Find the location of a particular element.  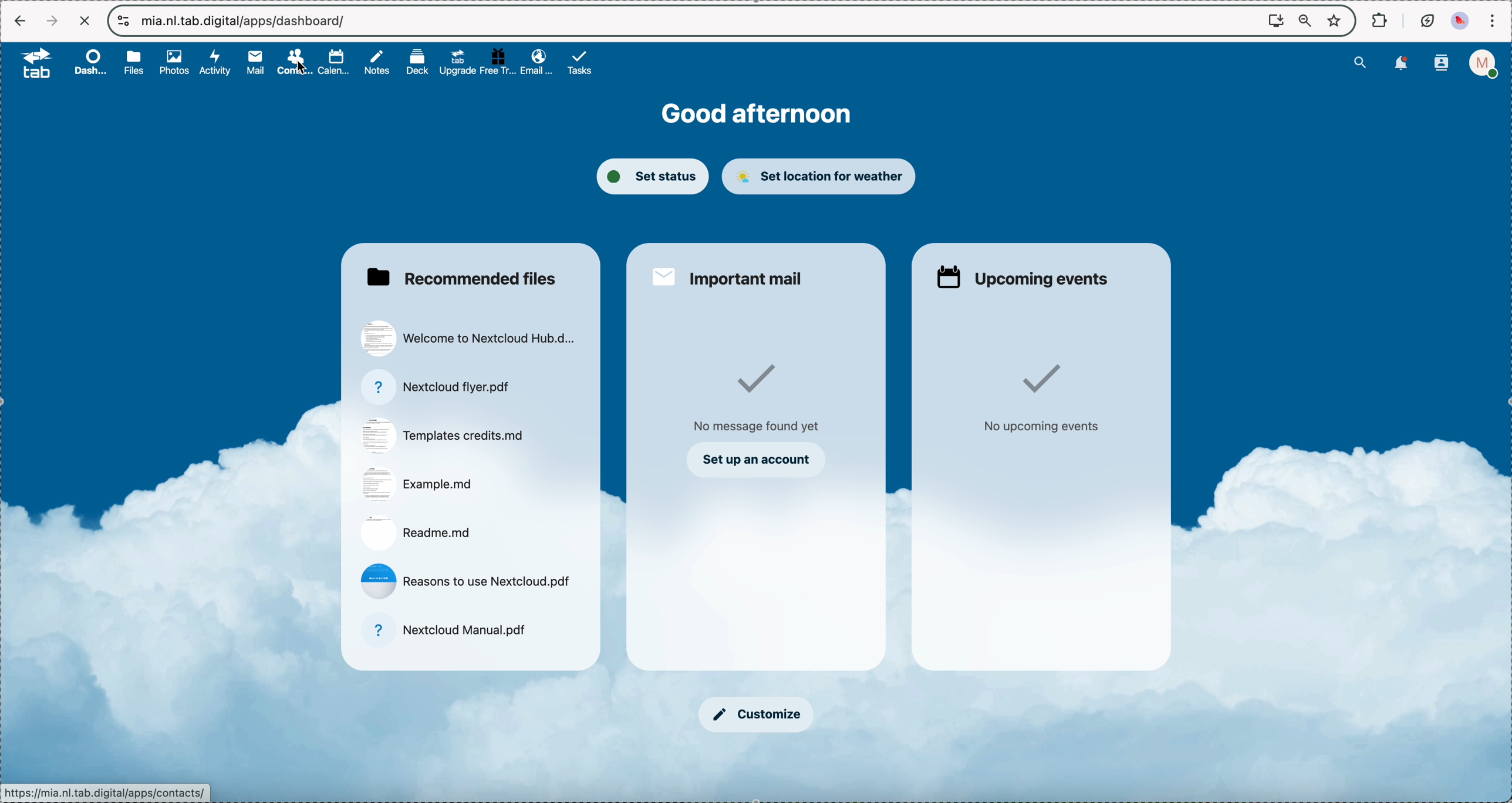

customize button is located at coordinates (756, 714).